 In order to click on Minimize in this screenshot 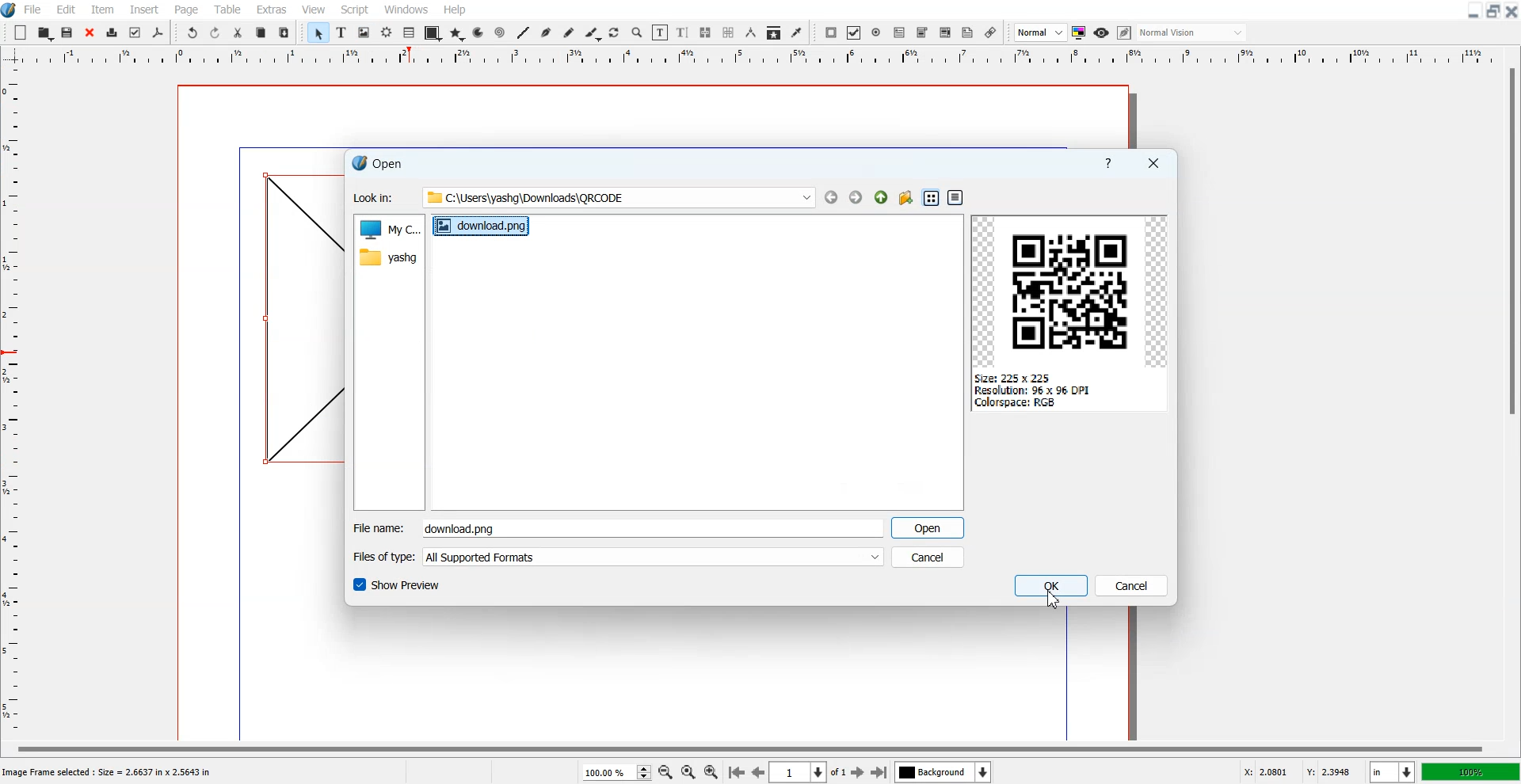, I will do `click(1472, 11)`.